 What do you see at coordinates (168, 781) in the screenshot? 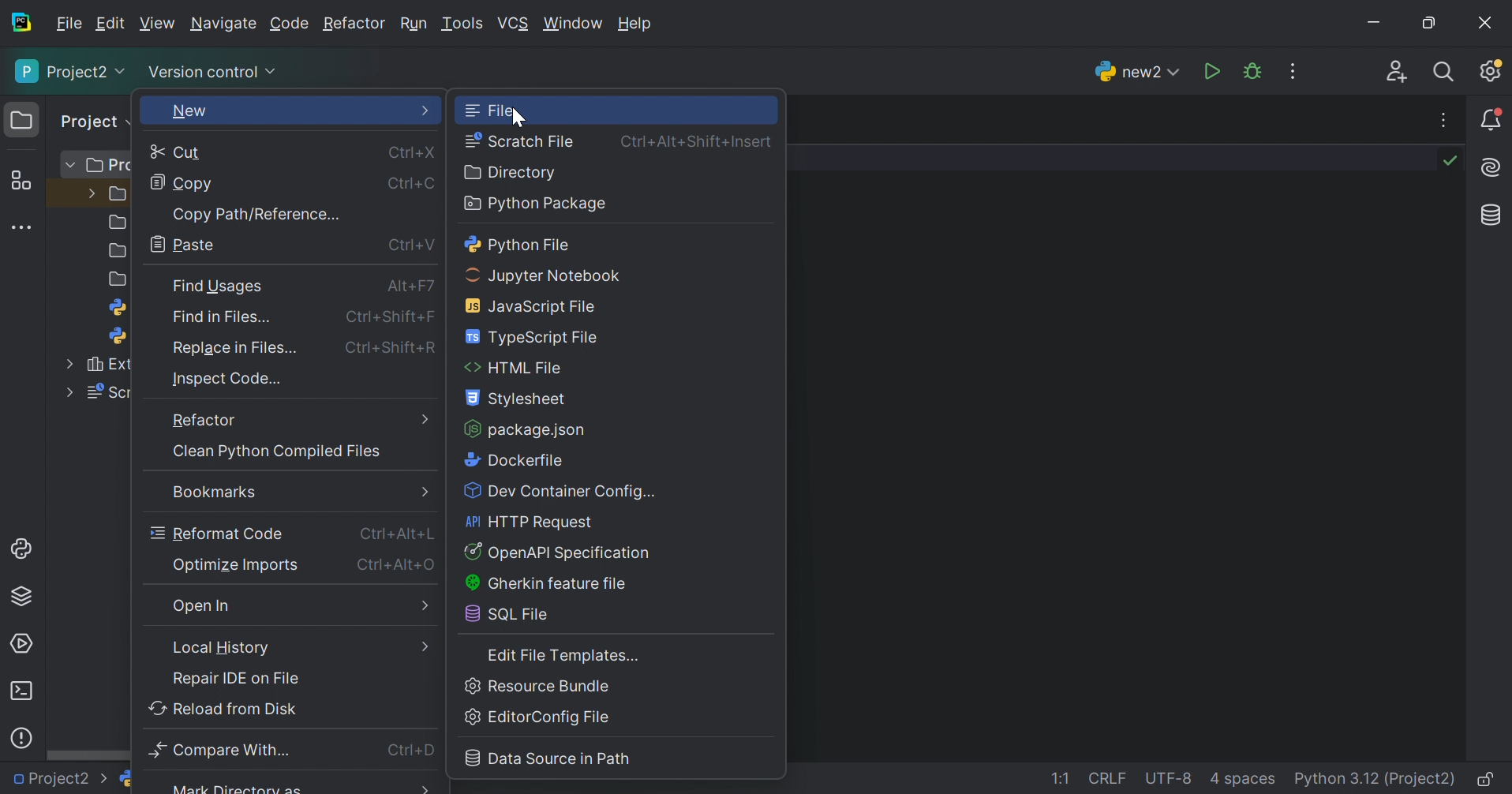
I see `new2.py` at bounding box center [168, 781].